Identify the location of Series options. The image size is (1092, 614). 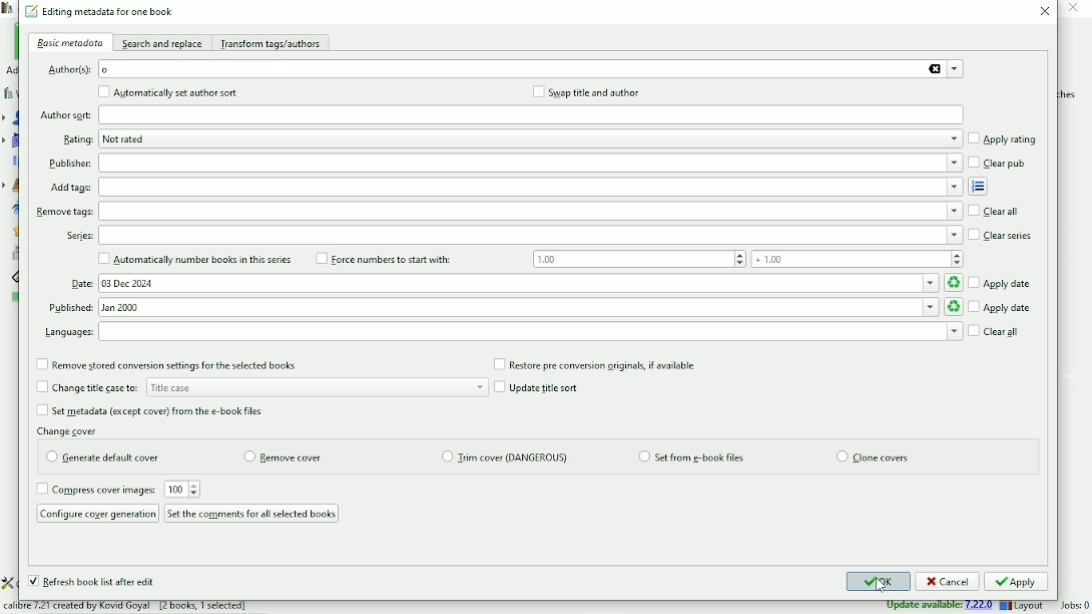
(532, 236).